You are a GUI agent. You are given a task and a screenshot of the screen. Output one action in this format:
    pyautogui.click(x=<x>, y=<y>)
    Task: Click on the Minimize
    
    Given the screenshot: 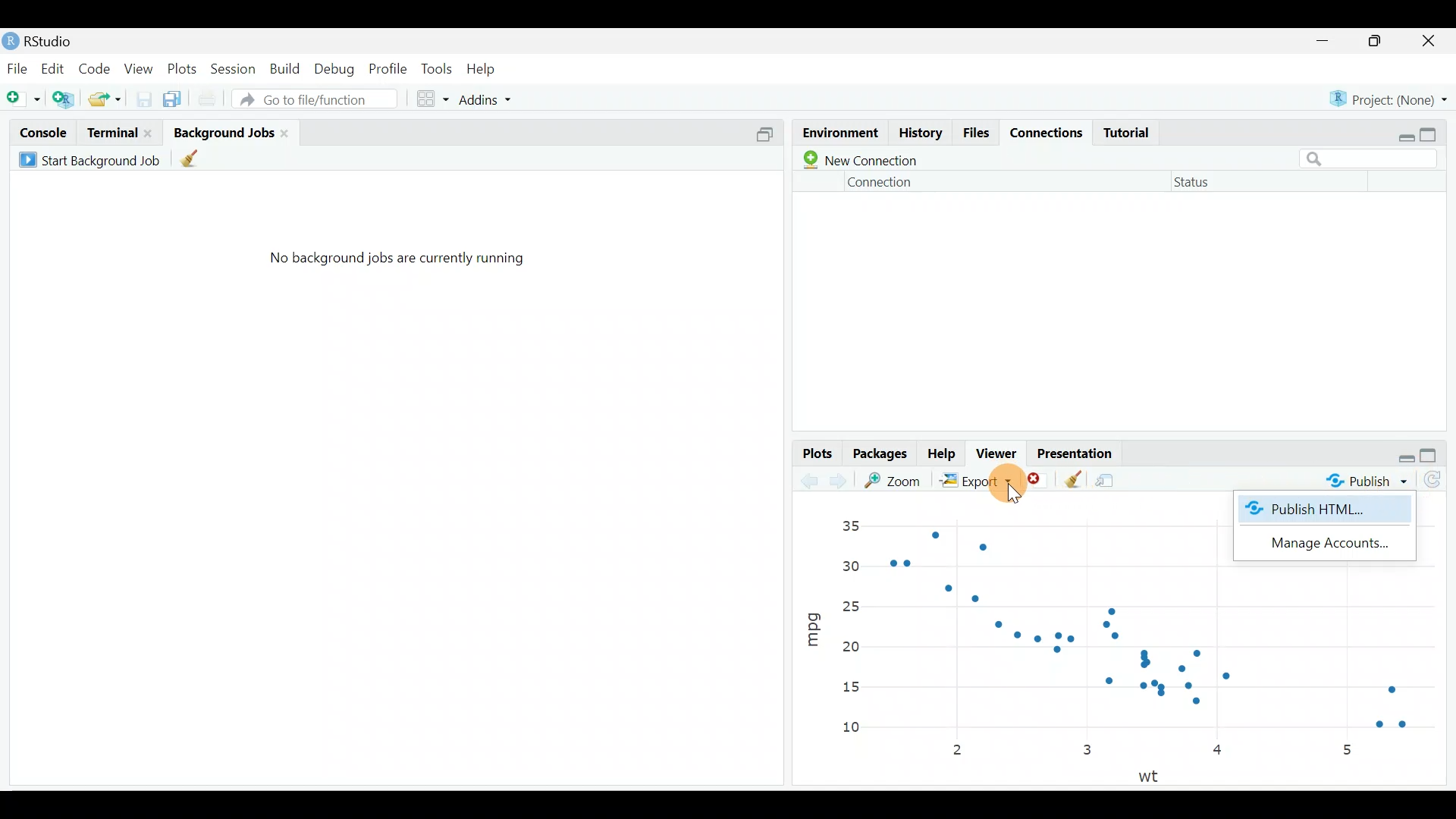 What is the action you would take?
    pyautogui.click(x=1326, y=42)
    